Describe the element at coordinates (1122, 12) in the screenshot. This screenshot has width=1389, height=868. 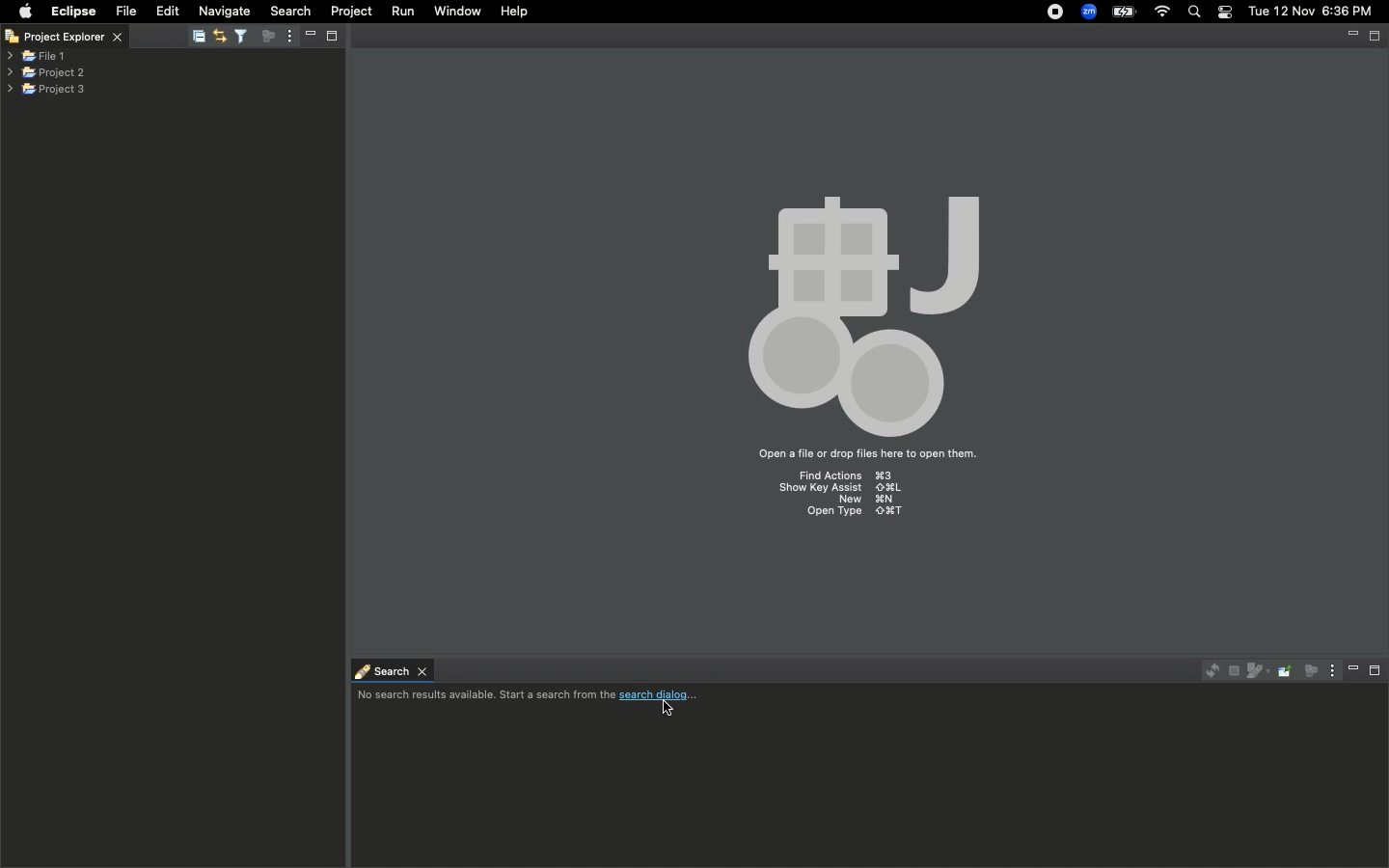
I see `Charge` at that location.